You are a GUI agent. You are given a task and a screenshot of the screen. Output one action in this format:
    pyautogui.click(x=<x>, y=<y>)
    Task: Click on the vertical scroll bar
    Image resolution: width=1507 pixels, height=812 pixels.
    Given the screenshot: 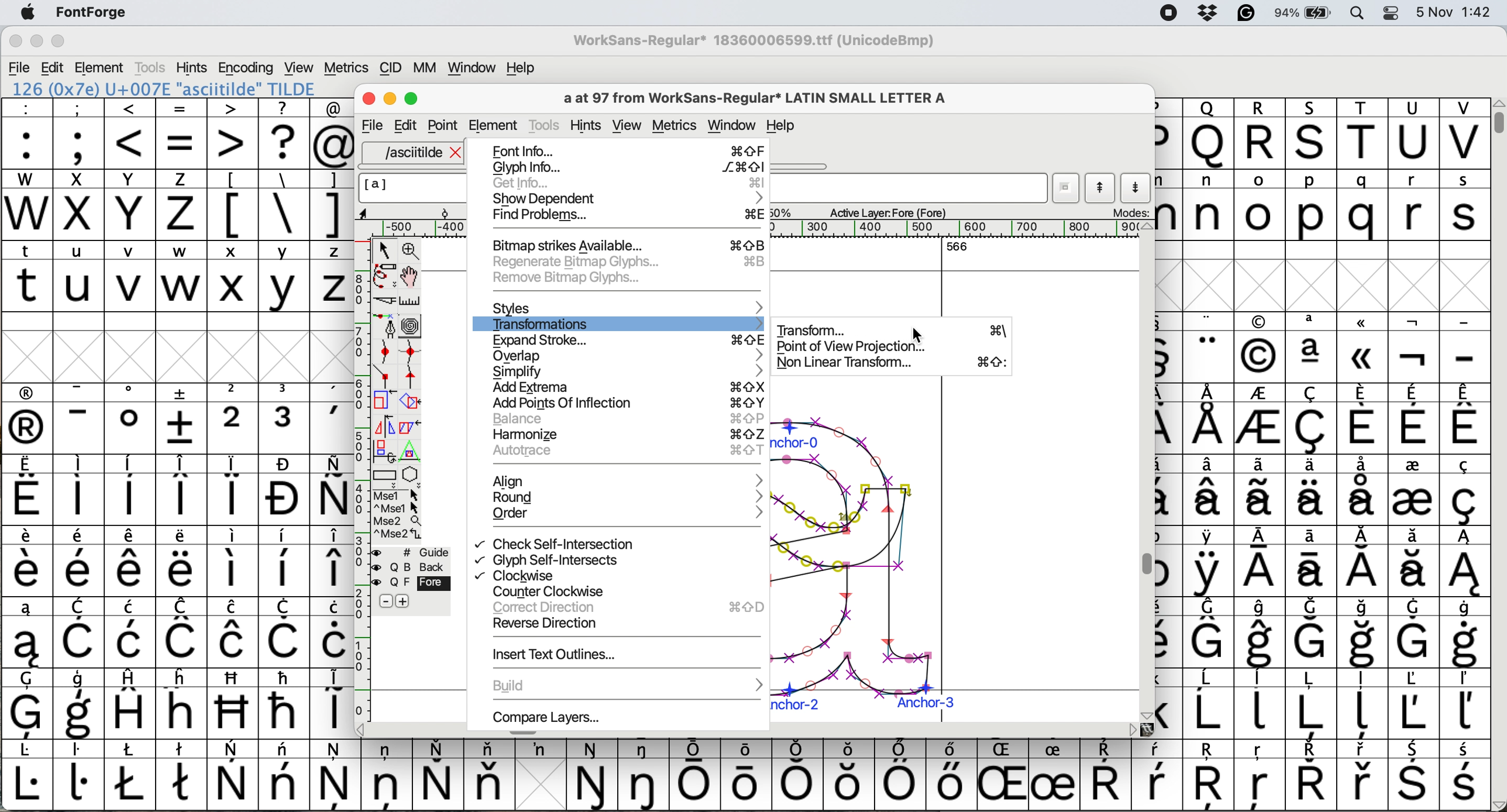 What is the action you would take?
    pyautogui.click(x=1496, y=117)
    